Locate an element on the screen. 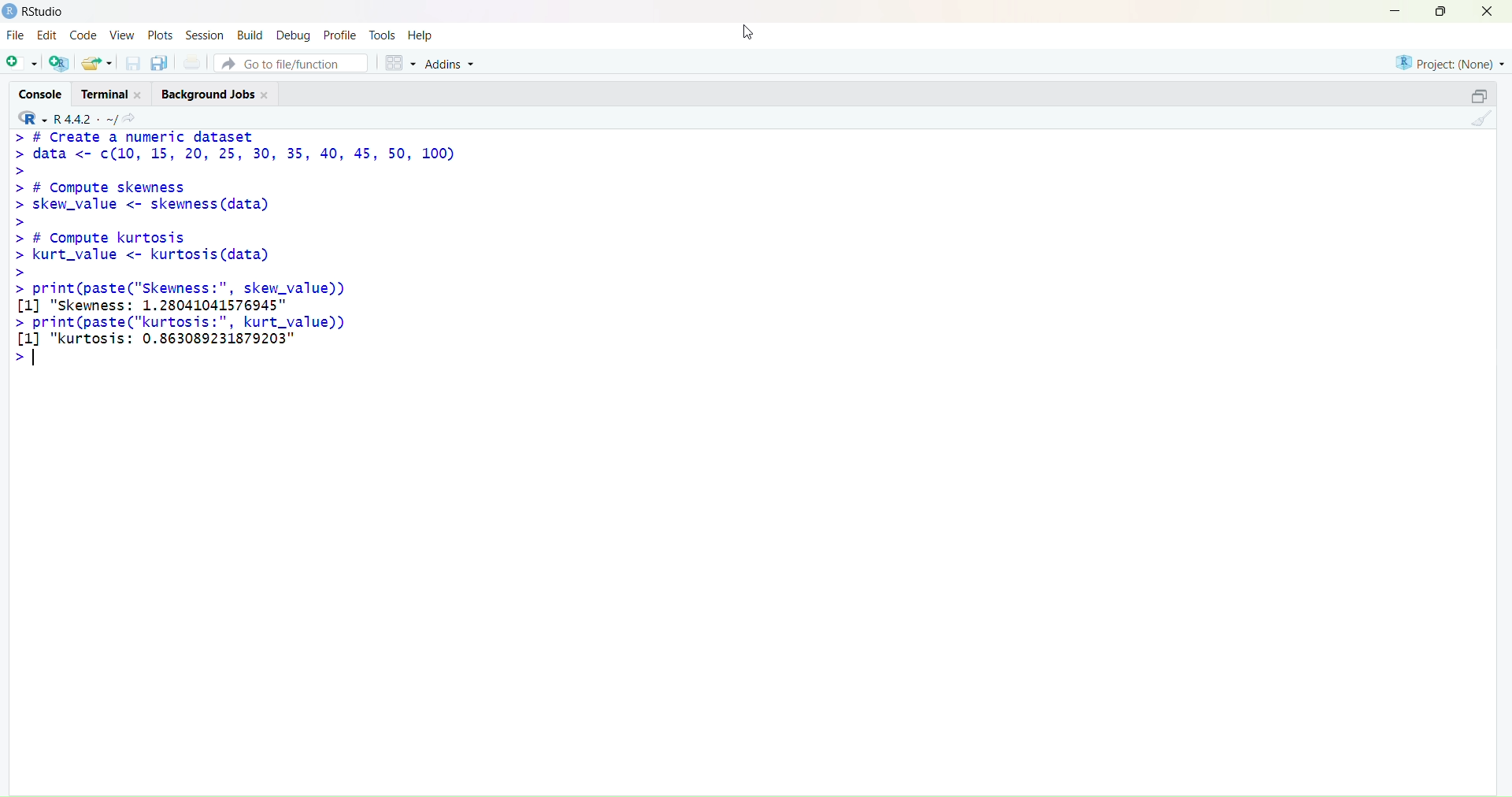 The height and width of the screenshot is (797, 1512). Clear Console (Ctrl + L) is located at coordinates (1478, 124).